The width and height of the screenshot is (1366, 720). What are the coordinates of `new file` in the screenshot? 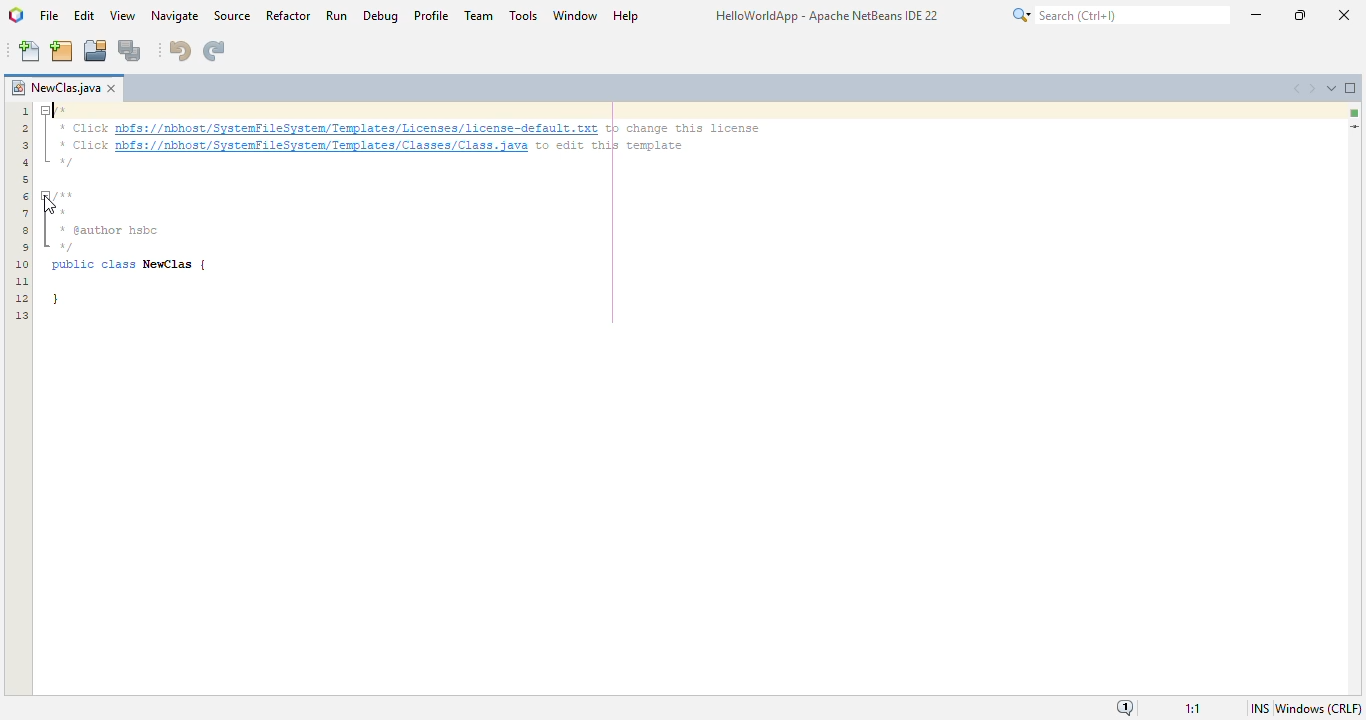 It's located at (29, 51).